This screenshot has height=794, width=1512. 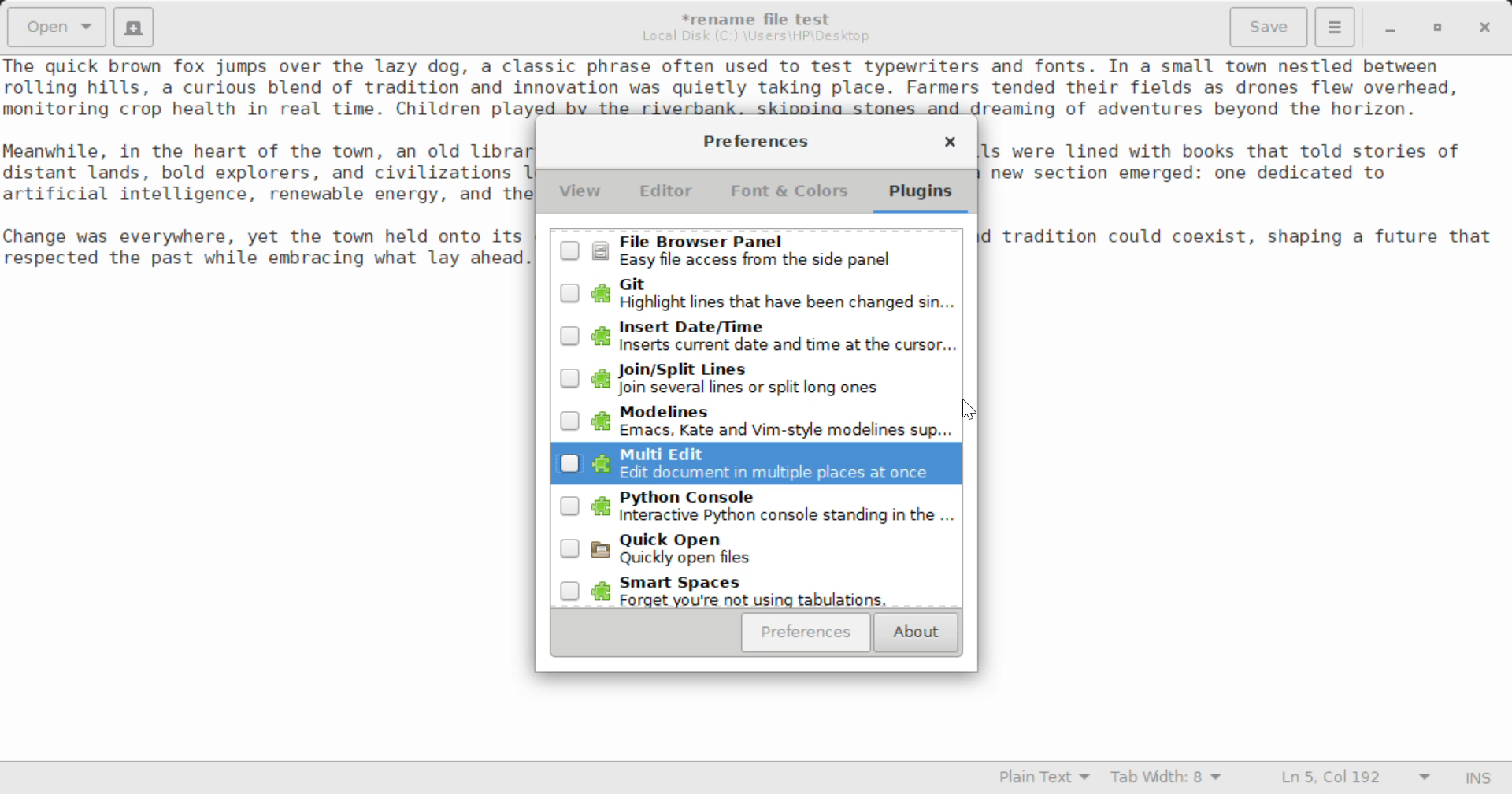 What do you see at coordinates (972, 412) in the screenshot?
I see `Cursor Position` at bounding box center [972, 412].